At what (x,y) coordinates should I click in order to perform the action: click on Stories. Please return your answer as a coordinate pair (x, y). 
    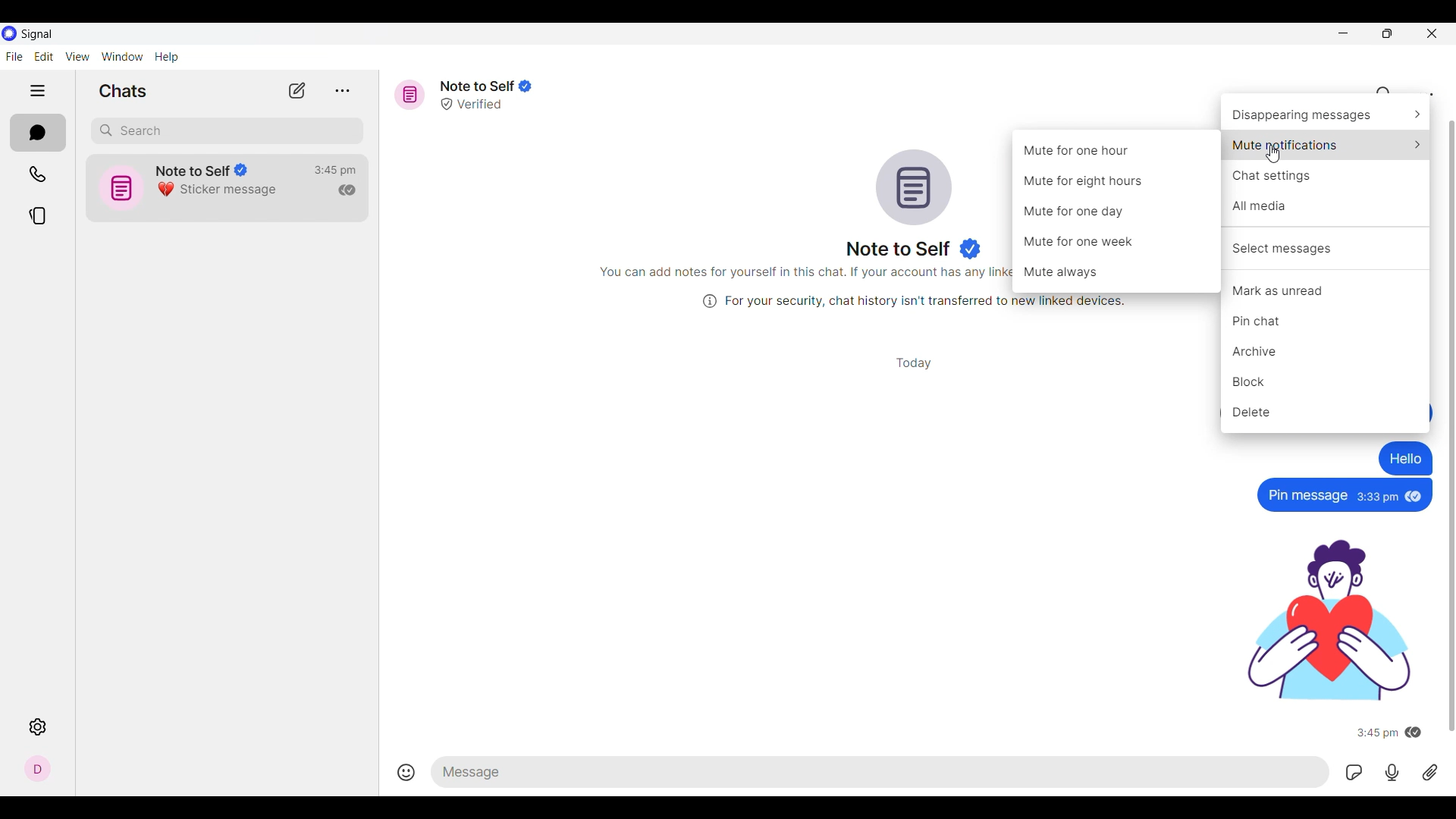
    Looking at the image, I should click on (38, 216).